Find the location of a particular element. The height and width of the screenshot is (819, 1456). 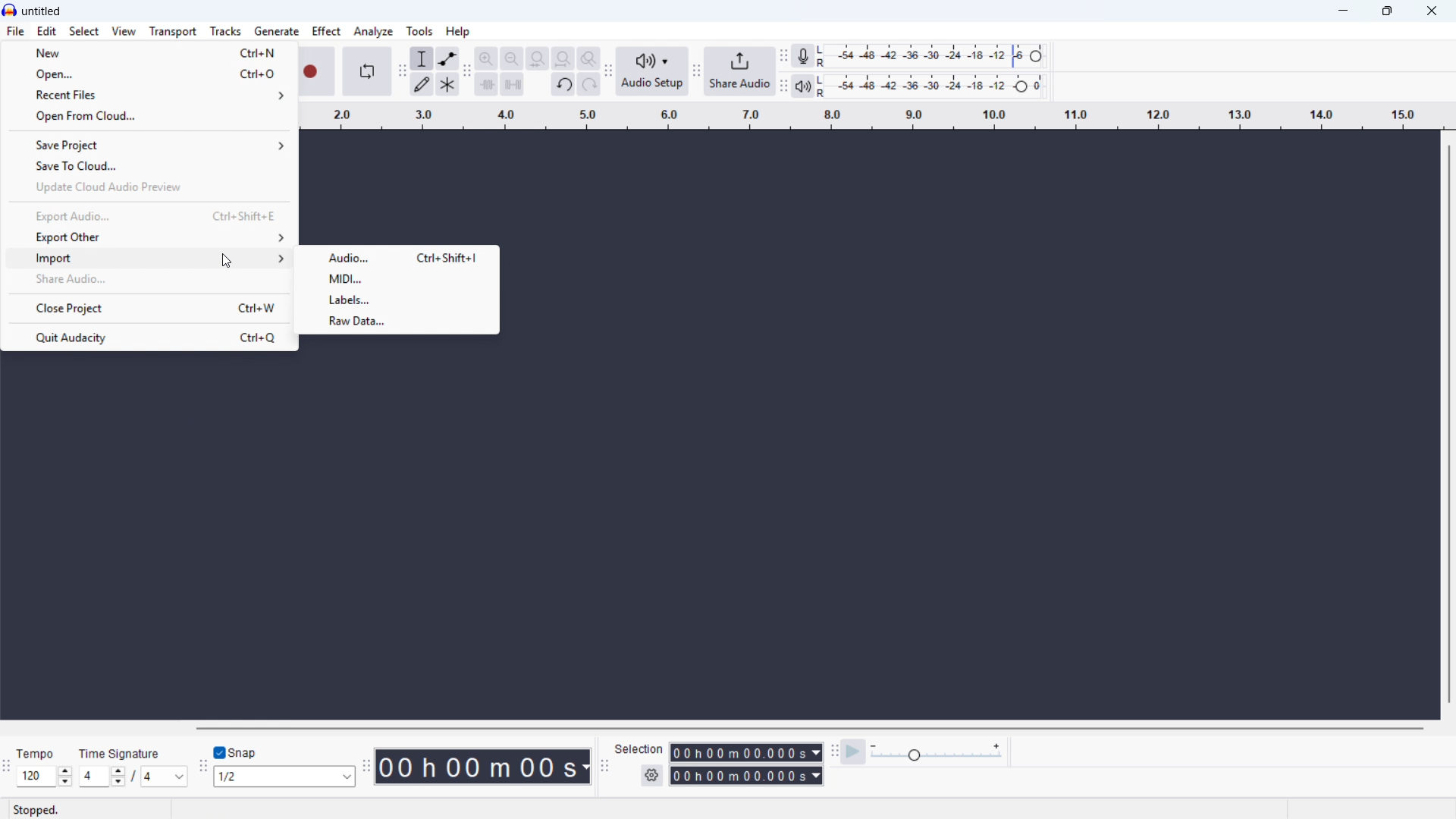

Redo is located at coordinates (589, 85).